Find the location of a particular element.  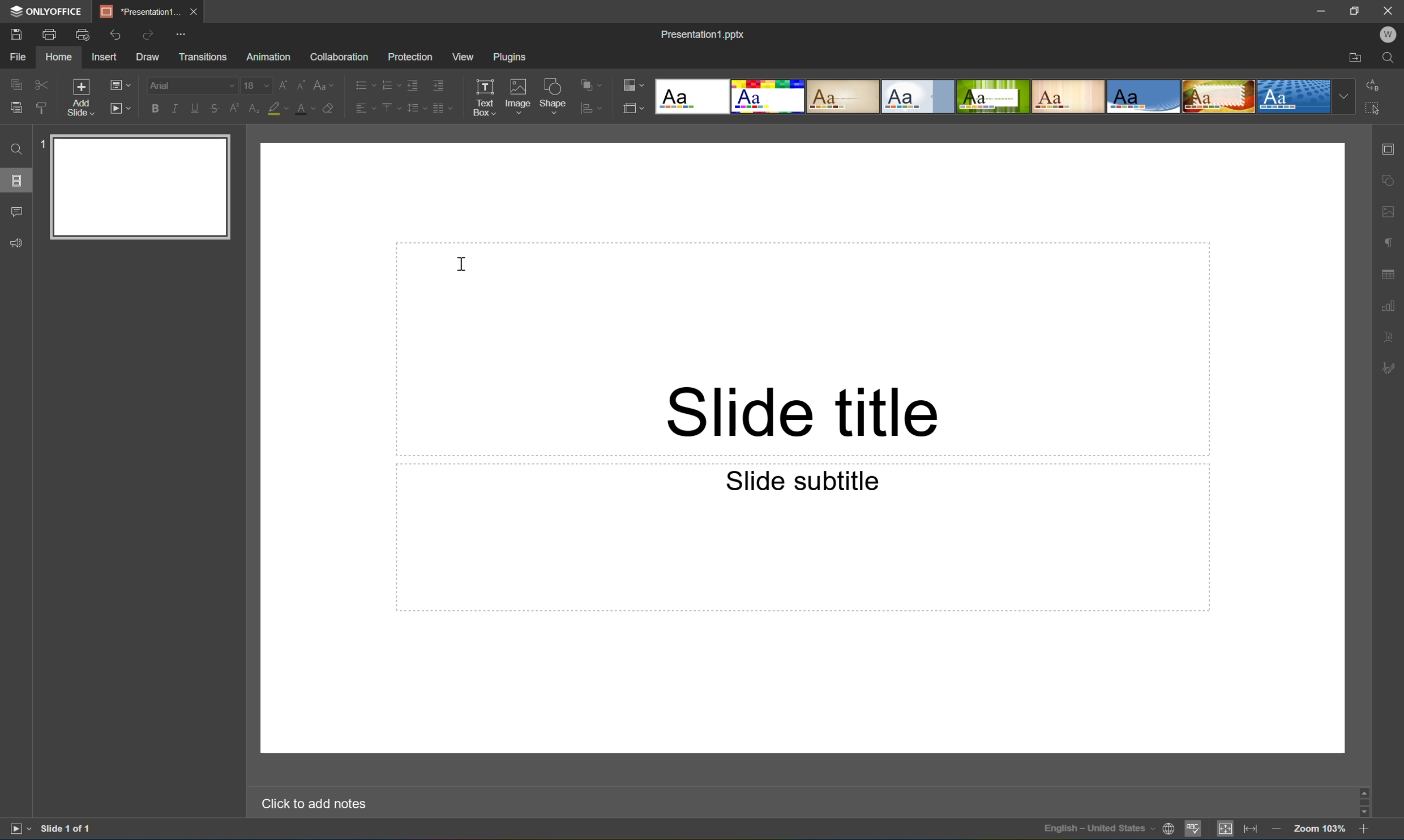

Slide 1 of 1 is located at coordinates (69, 828).